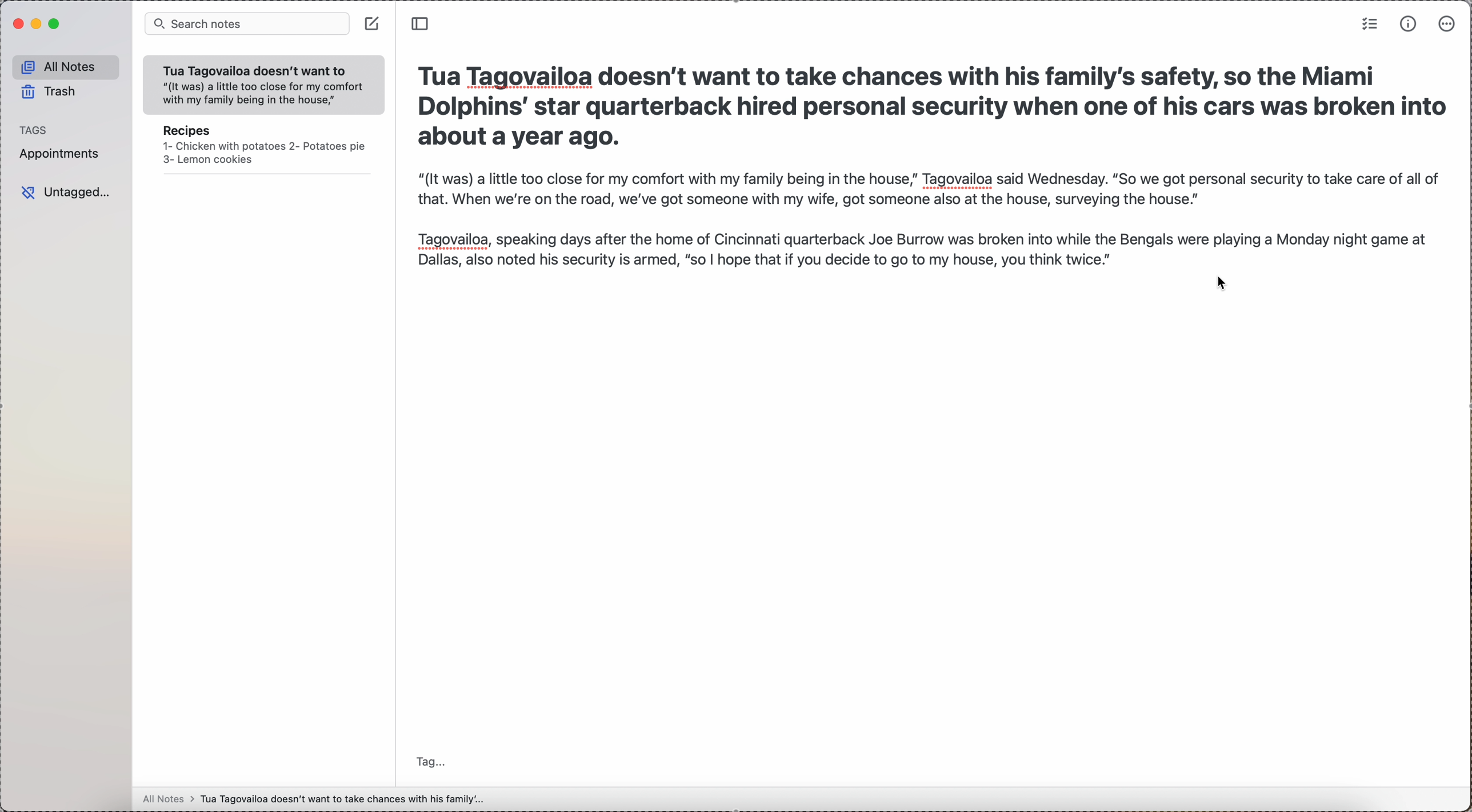 This screenshot has height=812, width=1472. I want to click on “(It was) a little too close for my comfort with my family being in the house,” Tagovailoa said Wednesday. “So we got personal security to take care
of all of that. When we're on the road, we've got someone with my wife, got someone also at the house, surveying the house.”

Tagovailoa, speaking days after the home of Cincinnati quarterback Joe Burrow was broken into while the Bengals were playing a Monday night
game at Dallas, also noted his security is armed, “so | hope that if you decide to go to my house, you think twice] A, so click(923, 231).